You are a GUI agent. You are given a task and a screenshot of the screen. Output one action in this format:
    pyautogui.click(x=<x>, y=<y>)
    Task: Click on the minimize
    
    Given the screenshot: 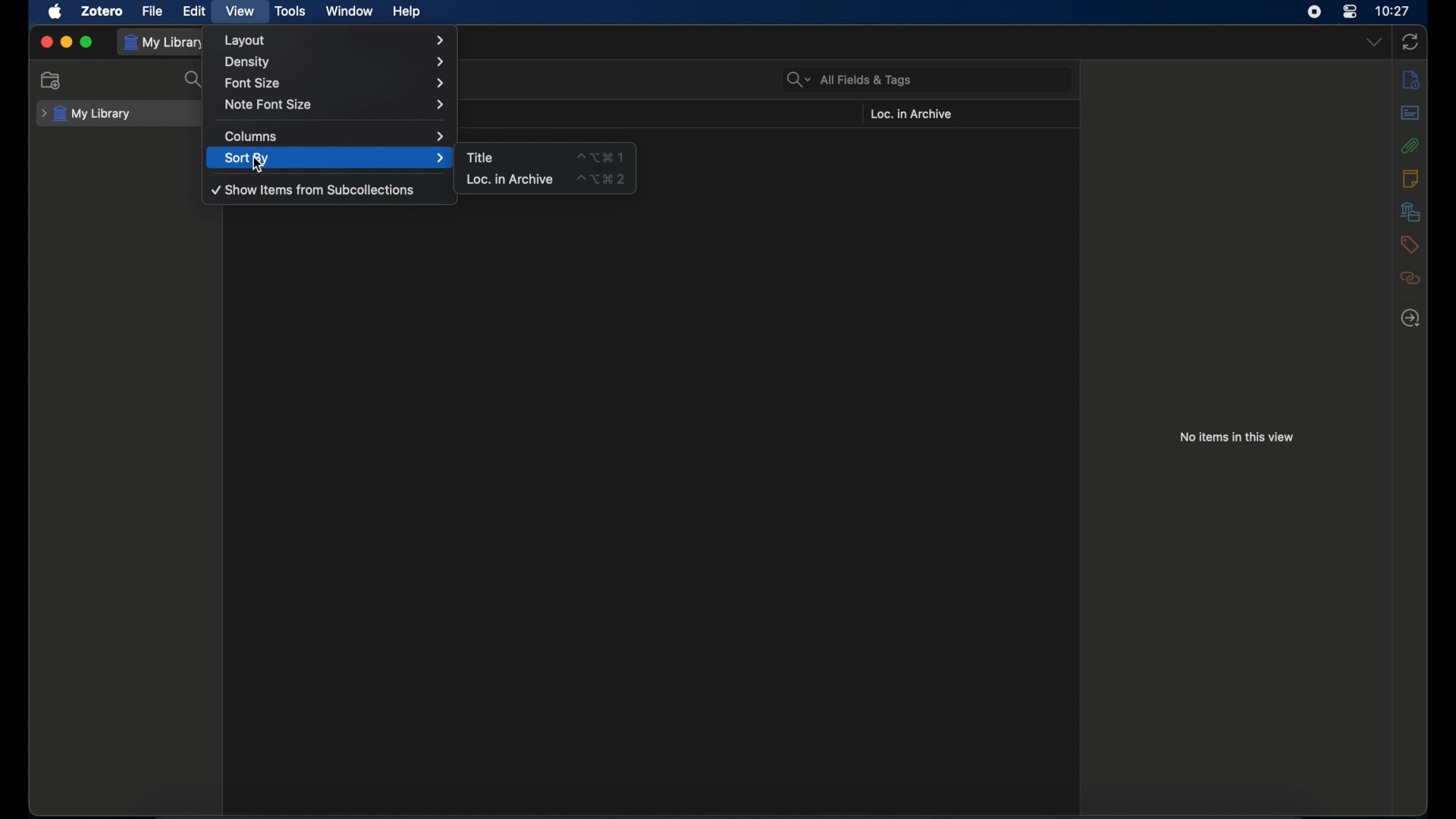 What is the action you would take?
    pyautogui.click(x=65, y=42)
    